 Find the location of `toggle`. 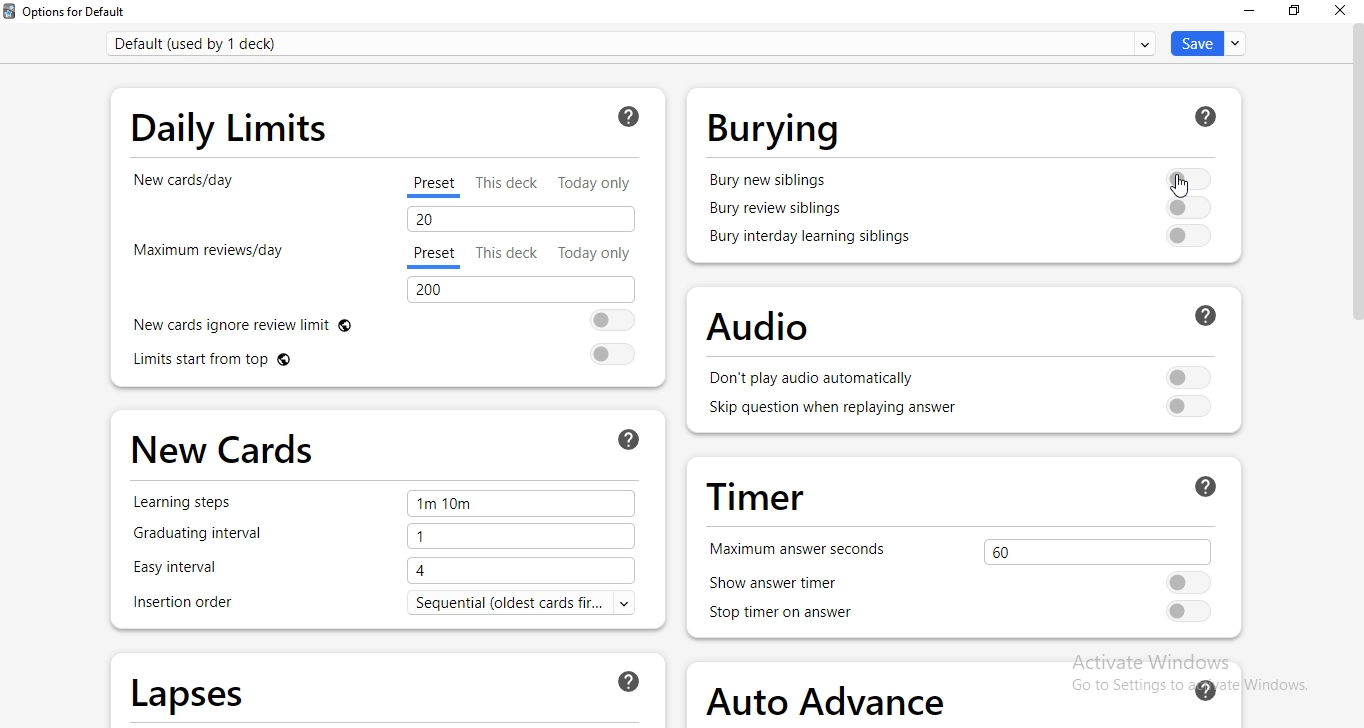

toggle is located at coordinates (1188, 408).